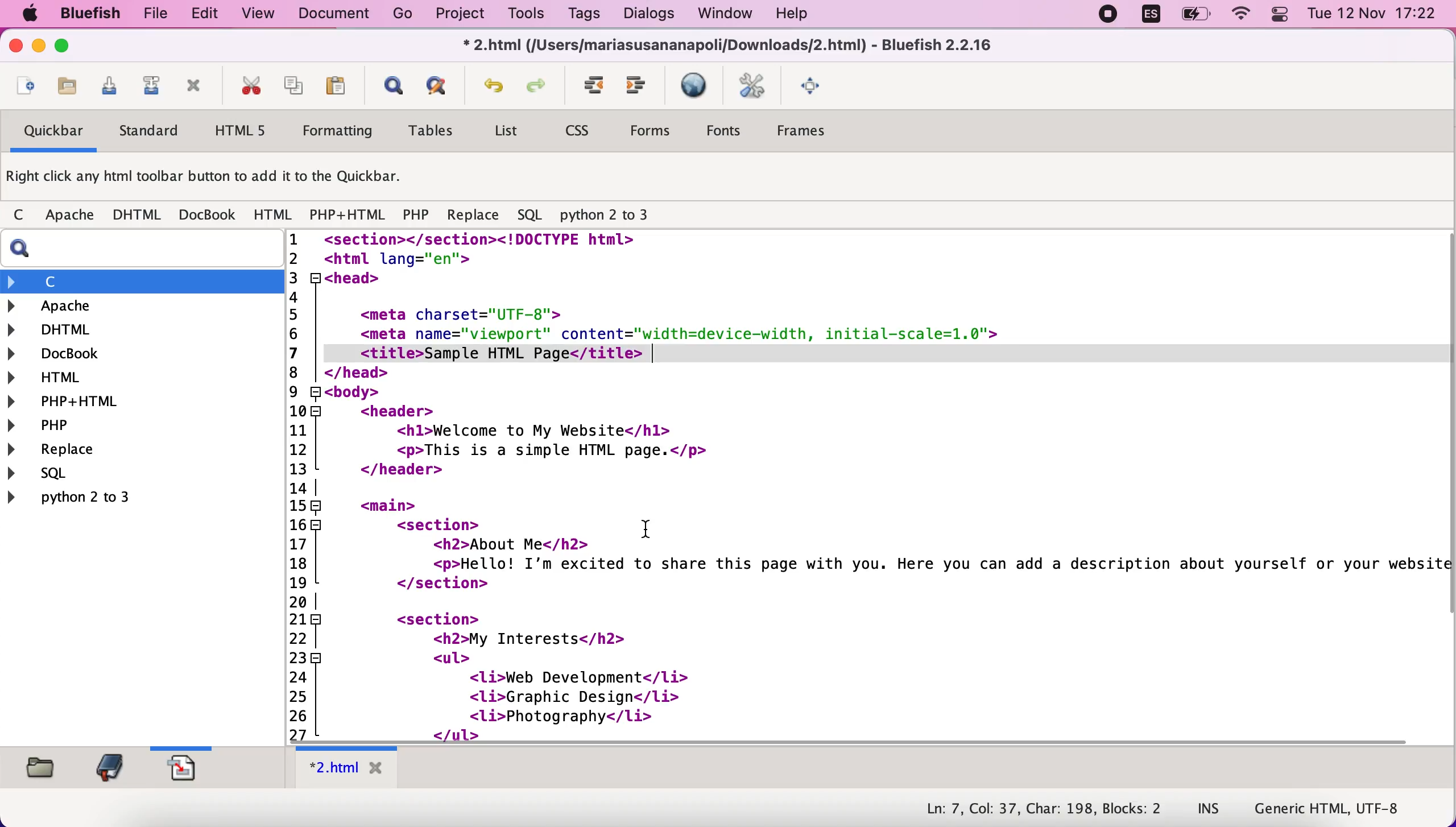 This screenshot has width=1456, height=827. What do you see at coordinates (43, 770) in the screenshot?
I see `filebrowser` at bounding box center [43, 770].